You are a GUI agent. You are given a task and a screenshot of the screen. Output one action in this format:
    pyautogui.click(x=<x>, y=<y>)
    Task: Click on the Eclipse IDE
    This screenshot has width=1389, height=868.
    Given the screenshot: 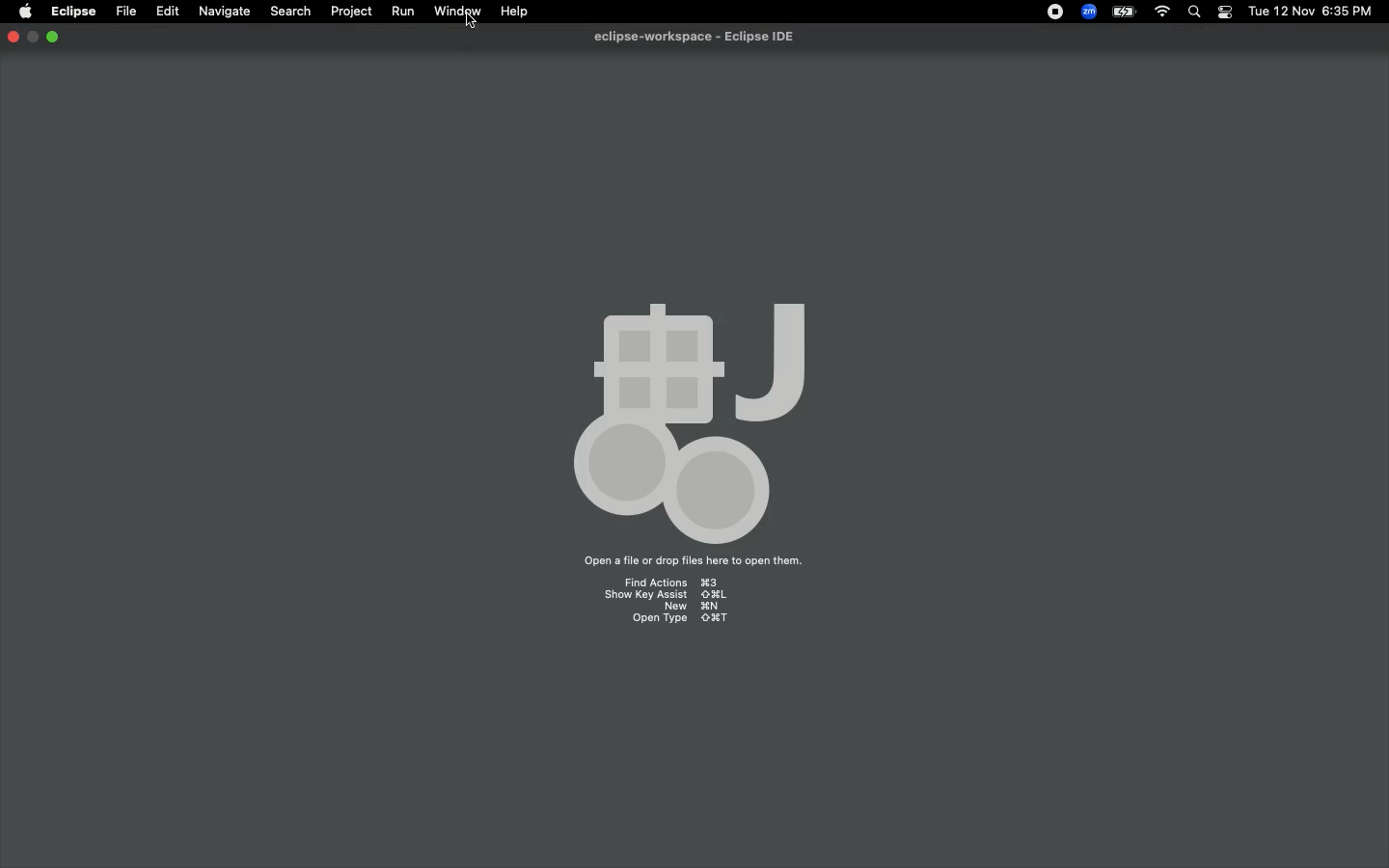 What is the action you would take?
    pyautogui.click(x=691, y=38)
    